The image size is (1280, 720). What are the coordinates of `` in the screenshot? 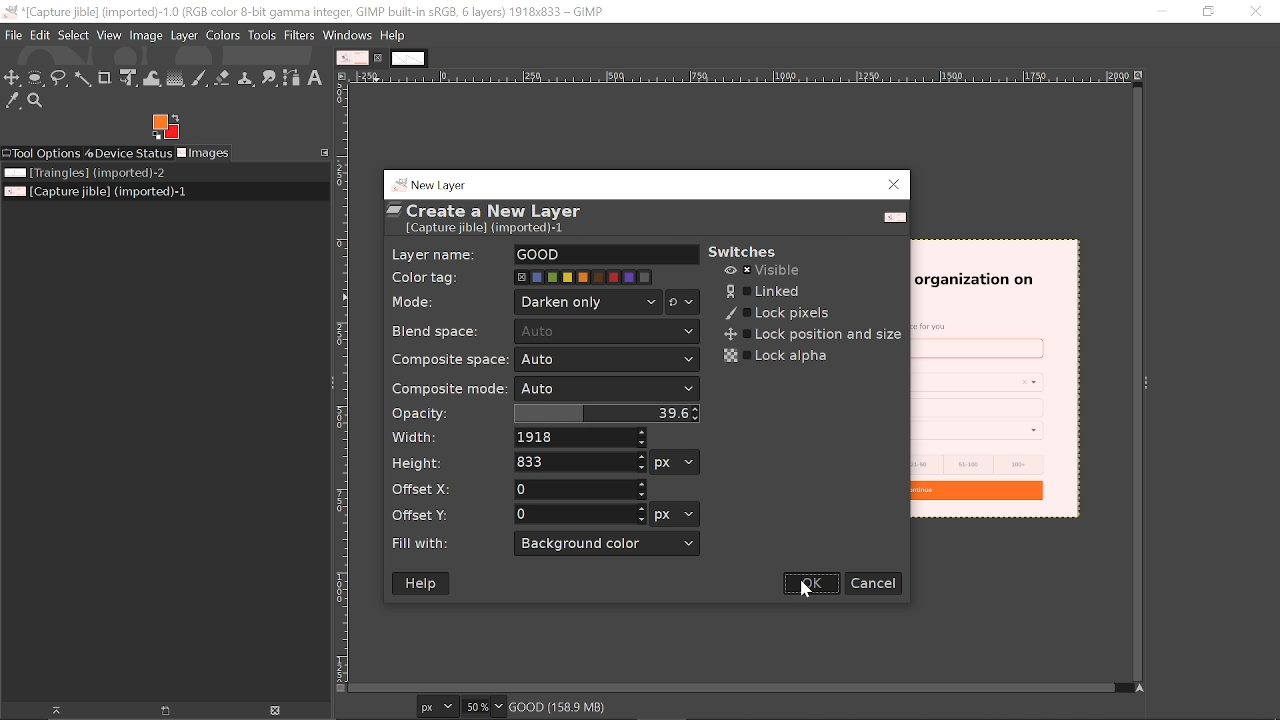 It's located at (393, 35).